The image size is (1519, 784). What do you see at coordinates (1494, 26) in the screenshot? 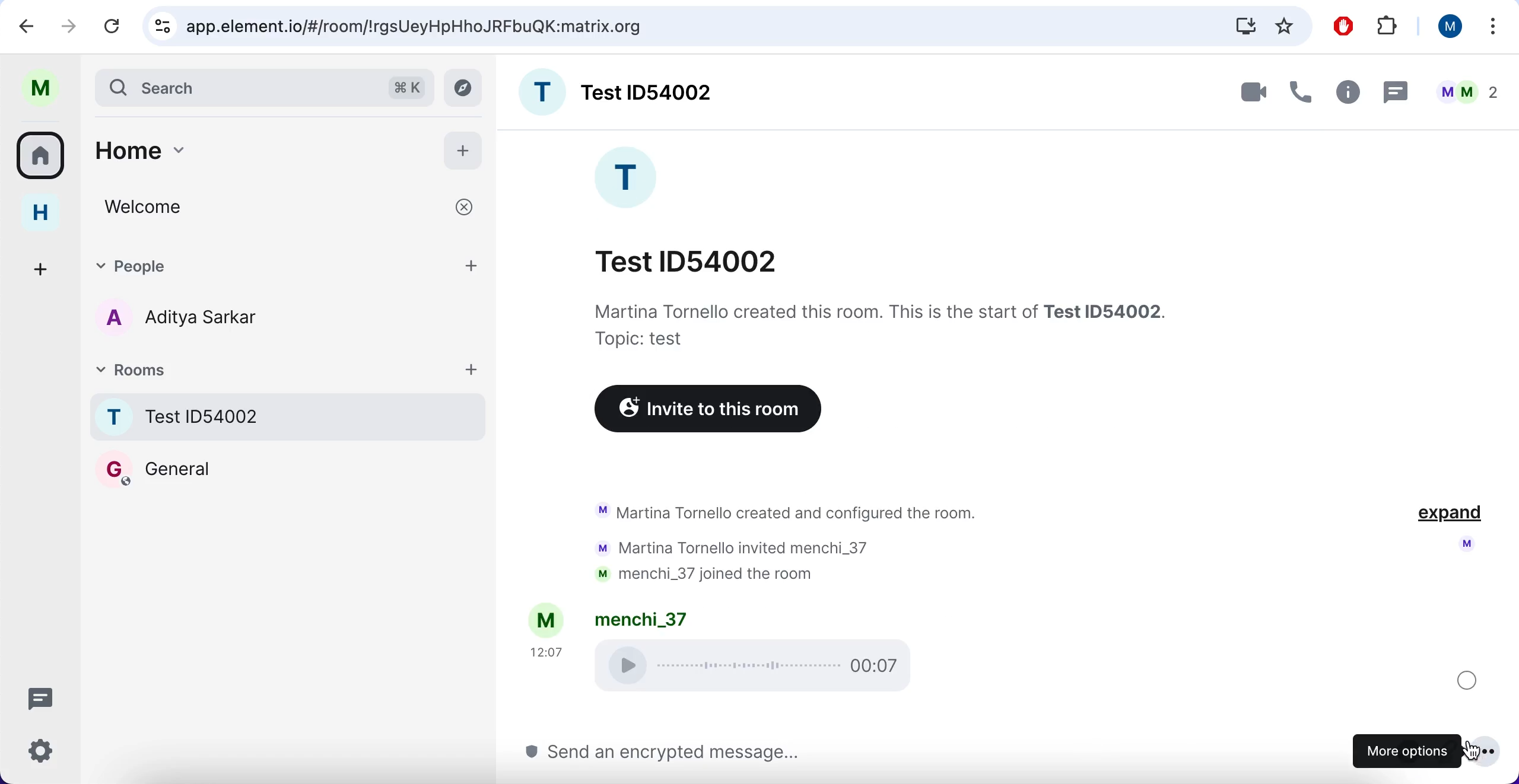
I see `list all tabs` at bounding box center [1494, 26].